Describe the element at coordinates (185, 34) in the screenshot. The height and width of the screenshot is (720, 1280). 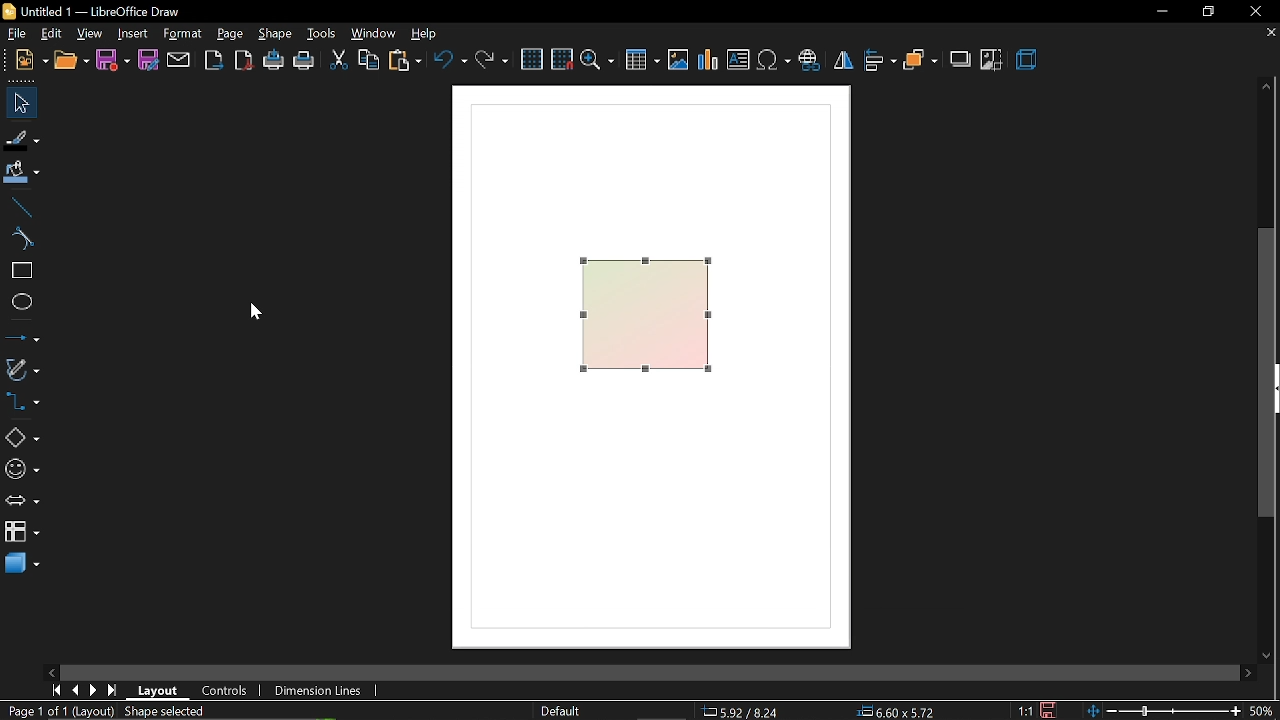
I see `Format` at that location.